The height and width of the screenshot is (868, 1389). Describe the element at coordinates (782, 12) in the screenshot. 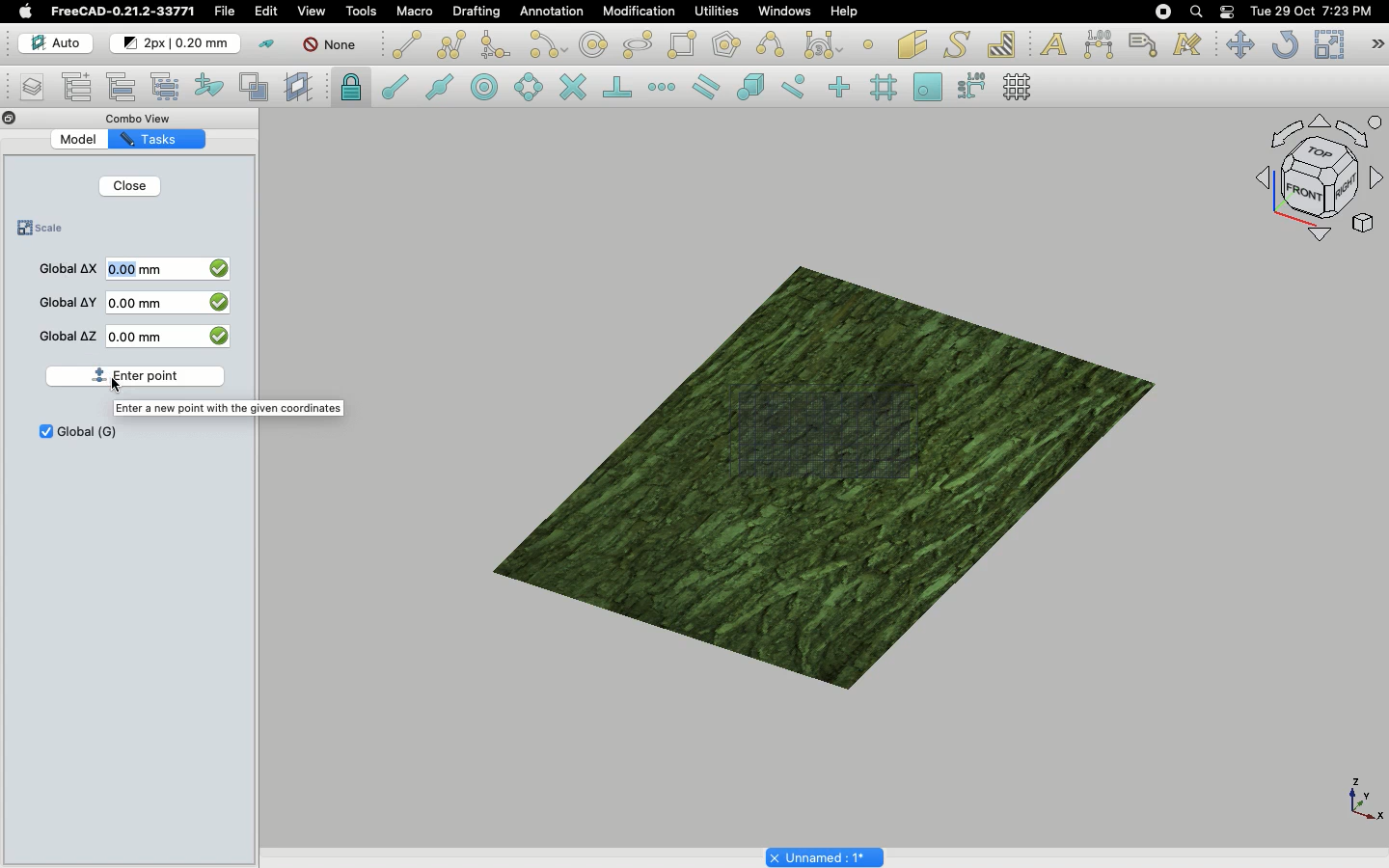

I see `Windows` at that location.